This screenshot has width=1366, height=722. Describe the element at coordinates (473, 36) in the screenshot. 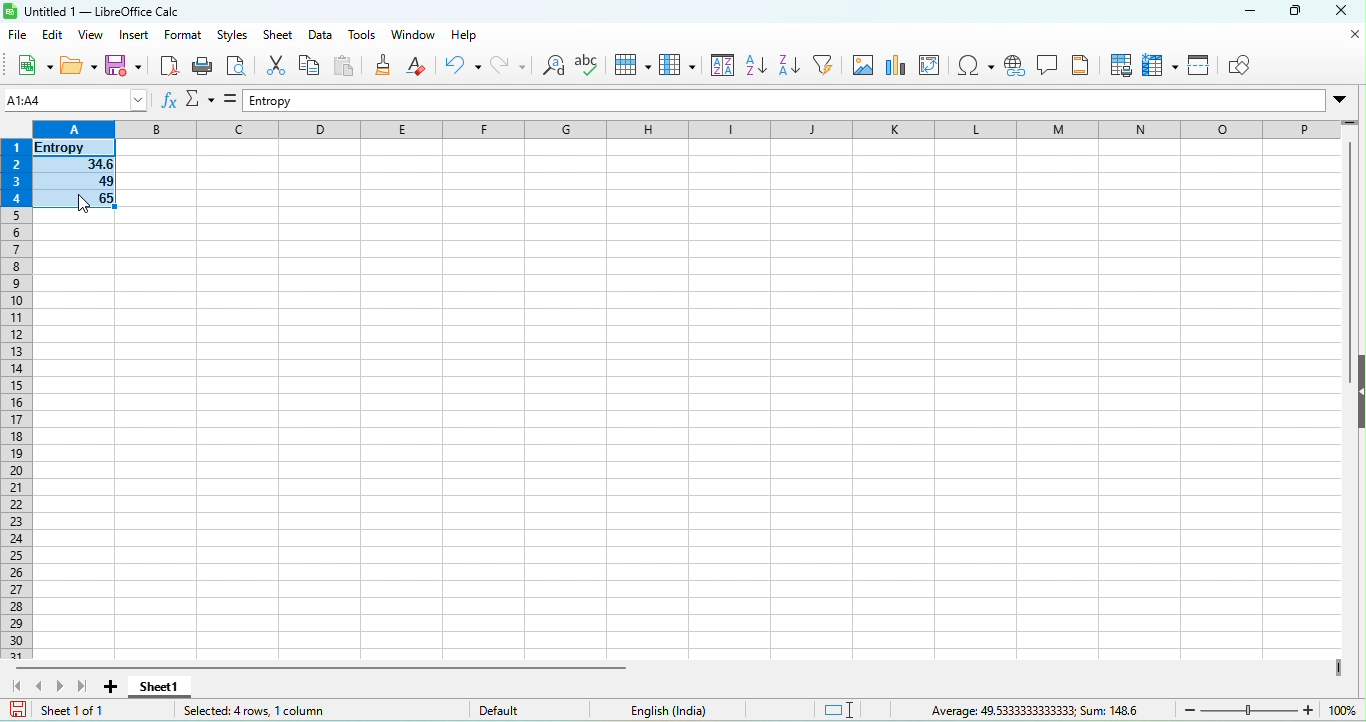

I see `help` at that location.